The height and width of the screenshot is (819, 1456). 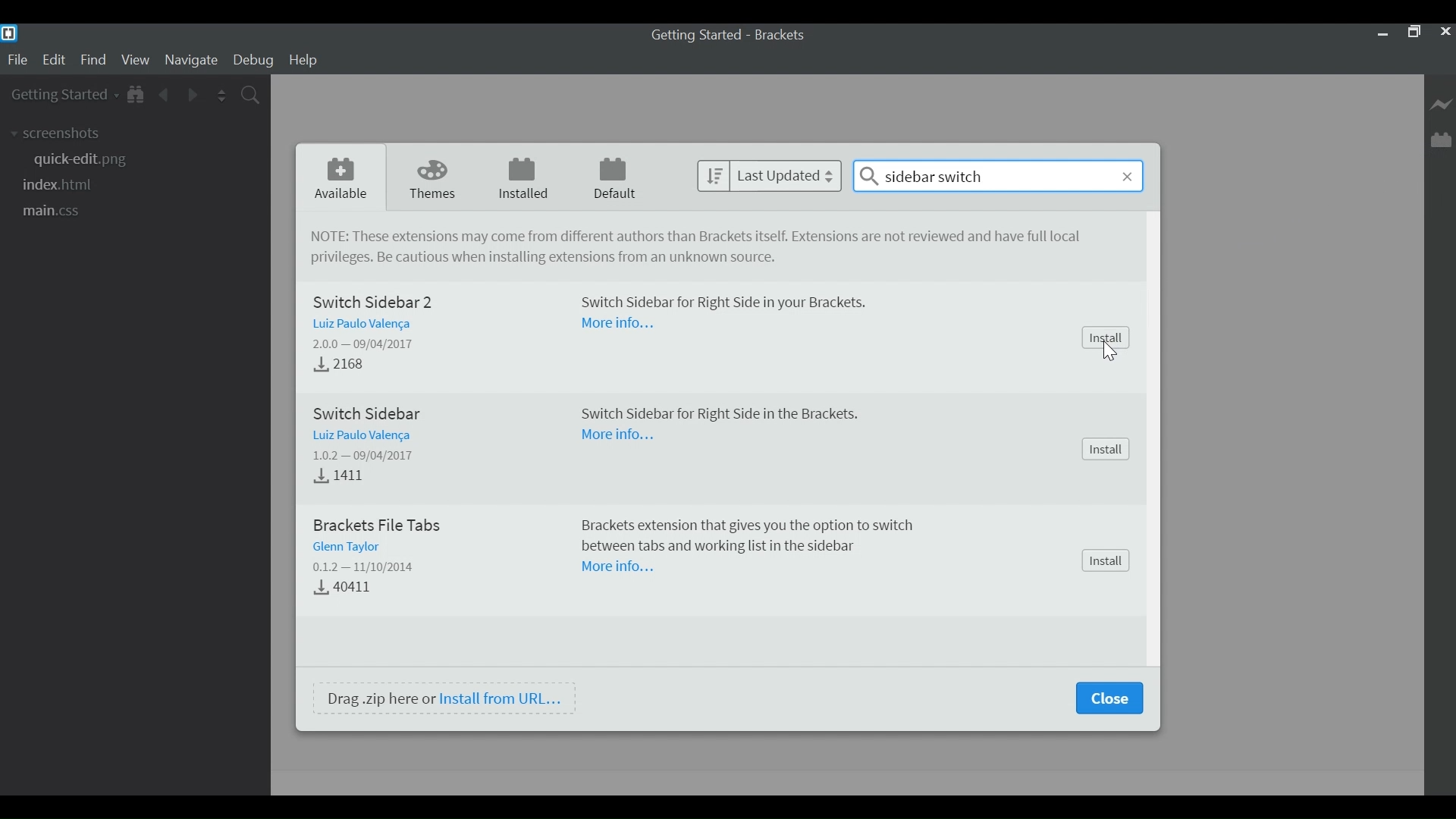 What do you see at coordinates (613, 177) in the screenshot?
I see `Default` at bounding box center [613, 177].